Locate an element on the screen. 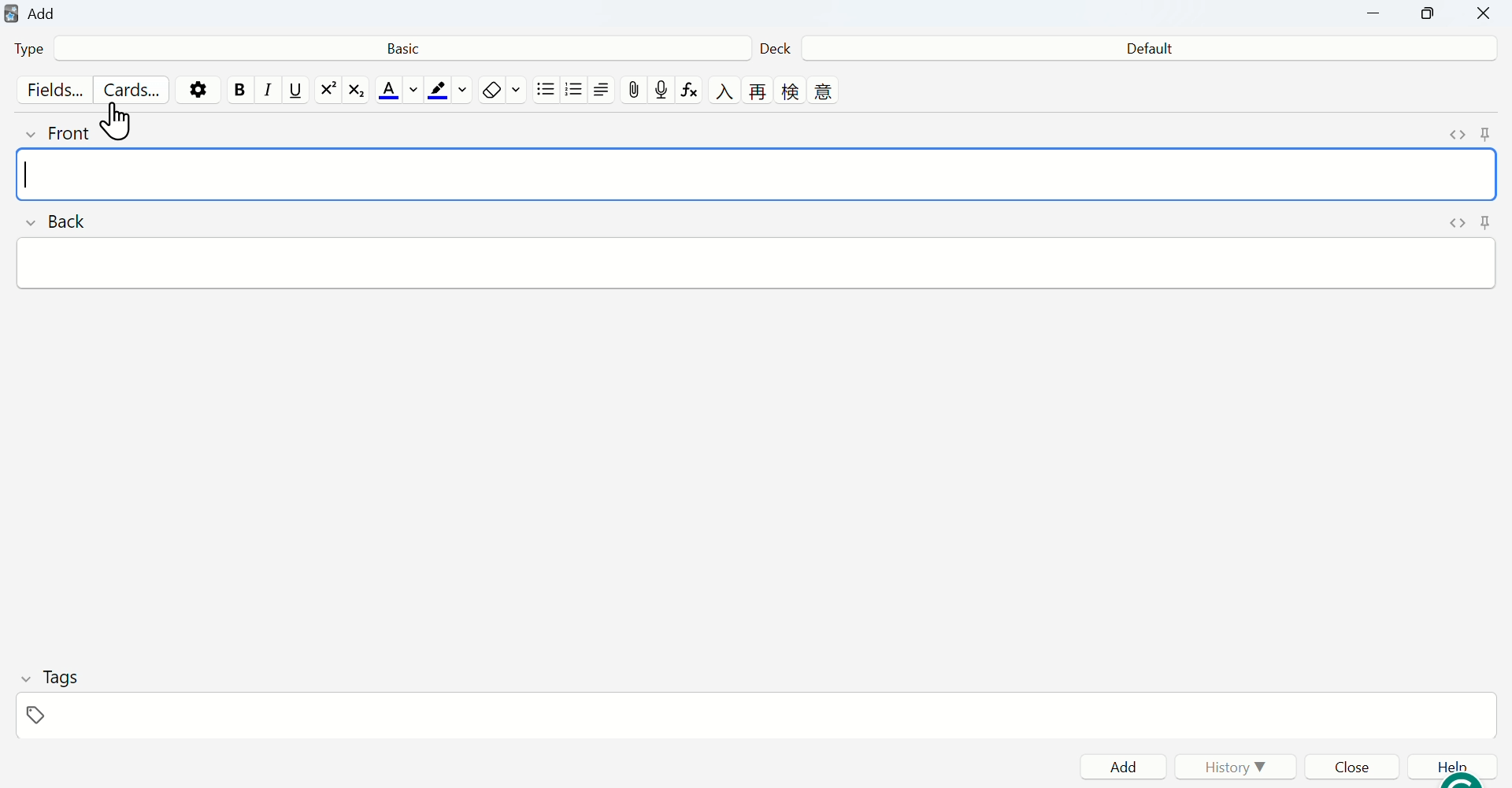  front input field is located at coordinates (758, 174).